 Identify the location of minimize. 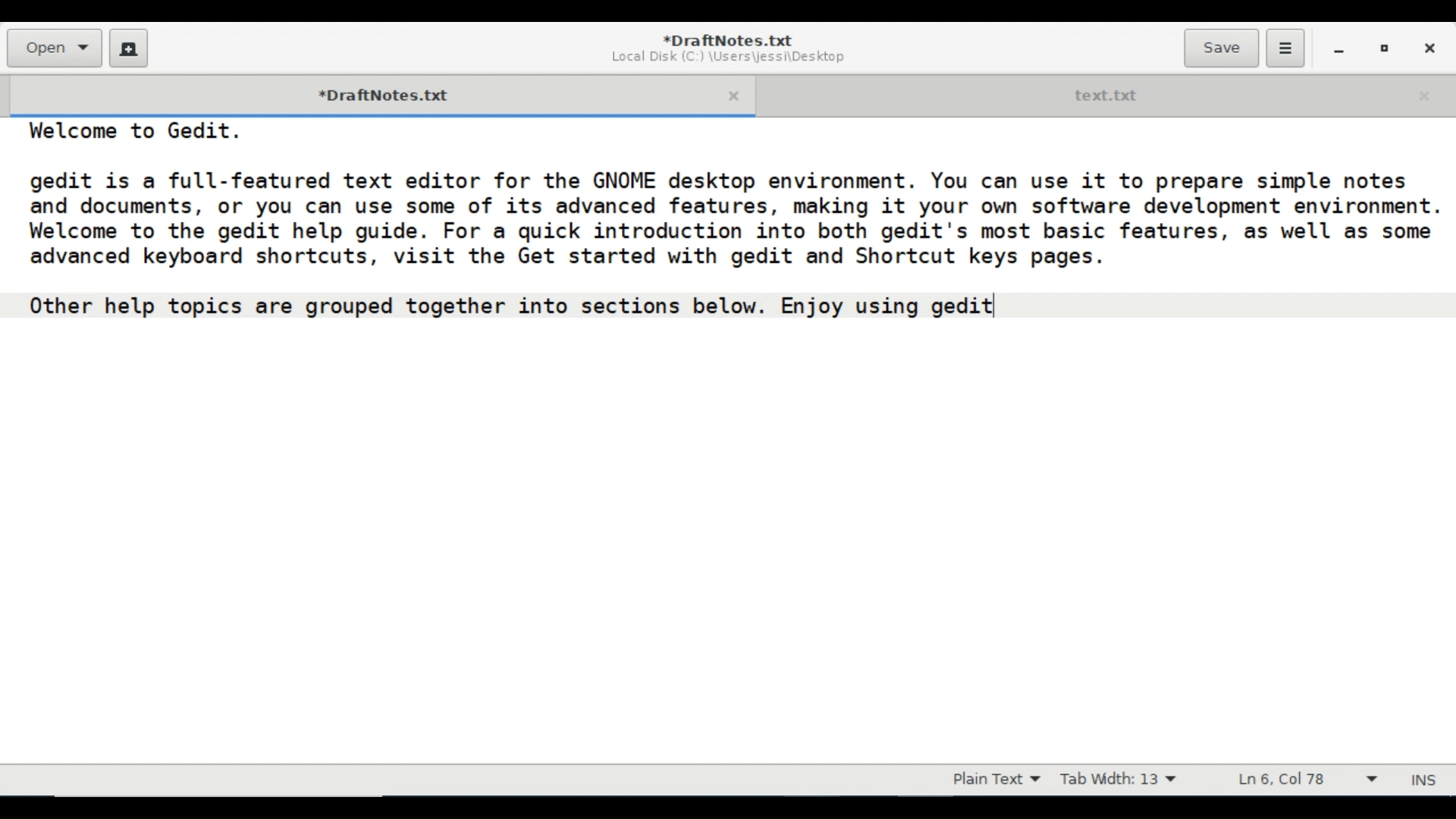
(1338, 48).